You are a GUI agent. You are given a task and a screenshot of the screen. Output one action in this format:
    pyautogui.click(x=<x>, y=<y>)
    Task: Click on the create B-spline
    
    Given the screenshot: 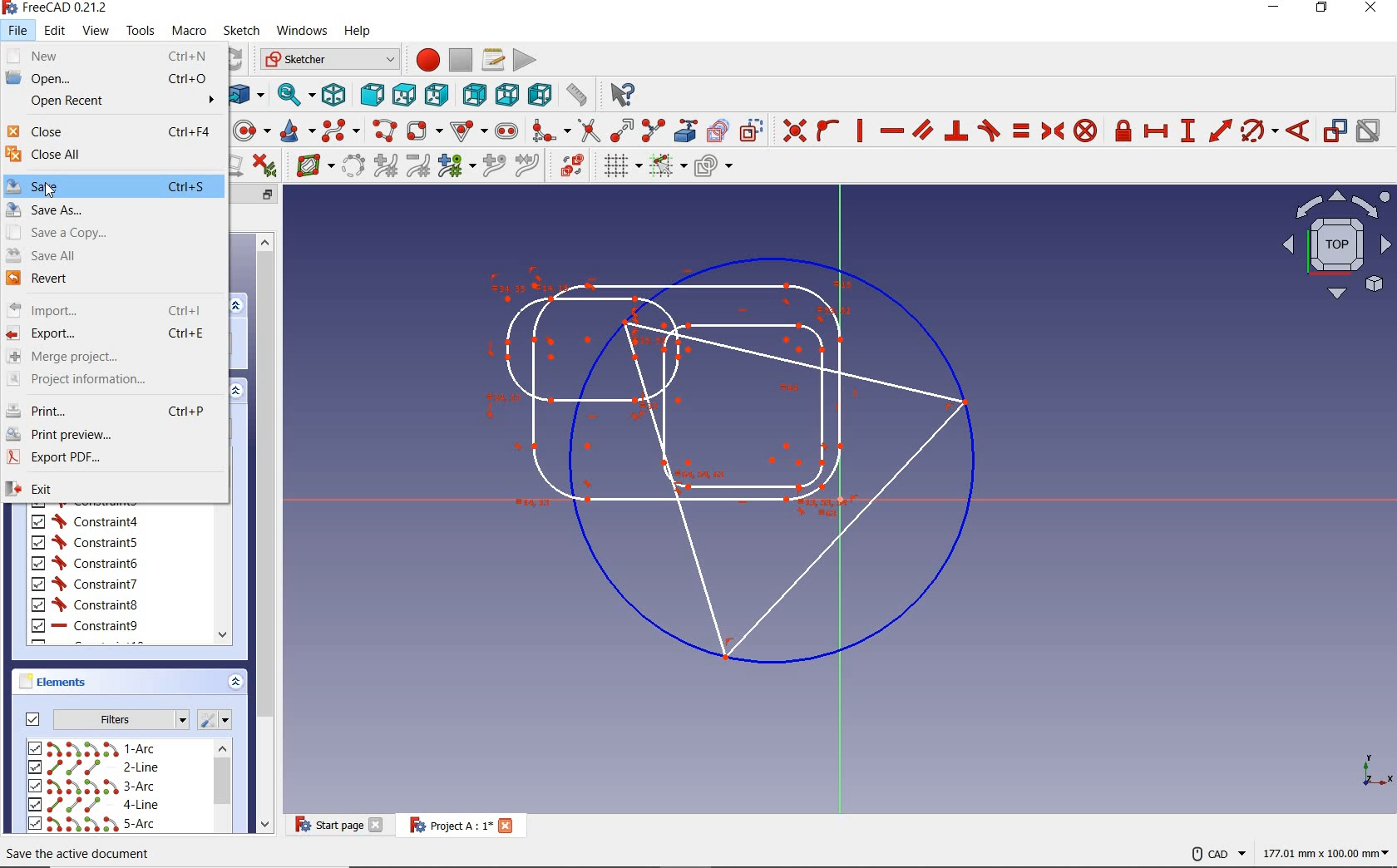 What is the action you would take?
    pyautogui.click(x=339, y=131)
    